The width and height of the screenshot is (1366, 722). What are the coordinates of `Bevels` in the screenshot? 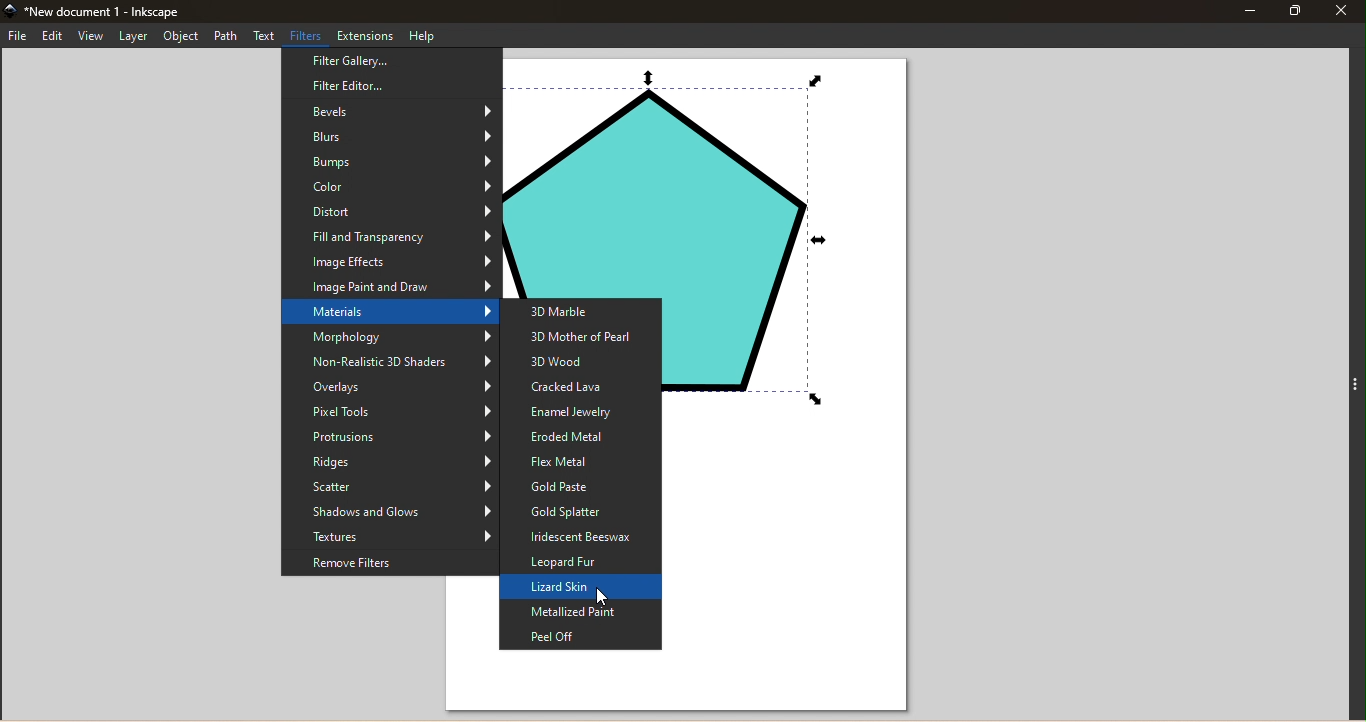 It's located at (388, 112).